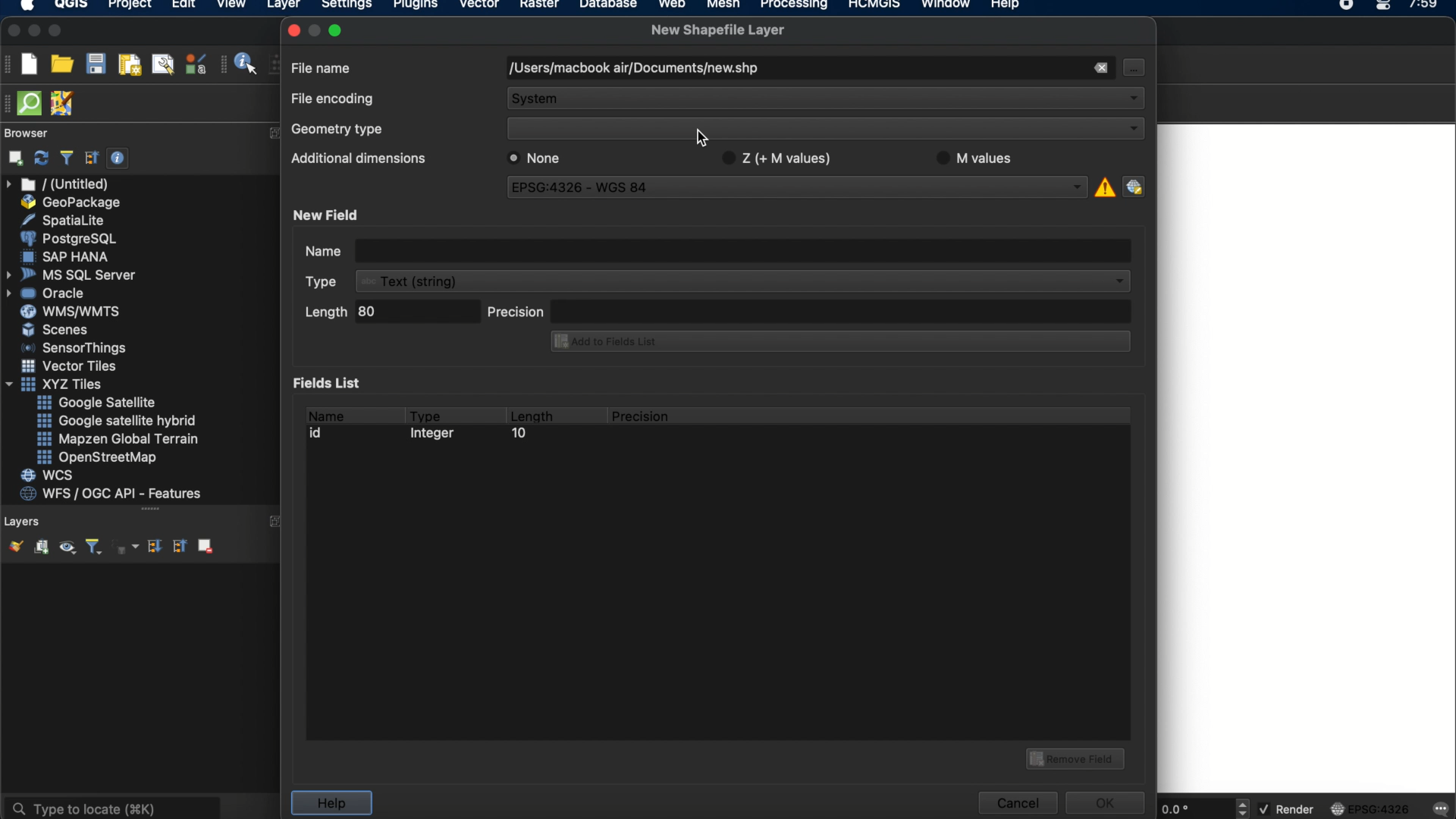 Image resolution: width=1456 pixels, height=819 pixels. Describe the element at coordinates (66, 220) in the screenshot. I see `spatiallite` at that location.